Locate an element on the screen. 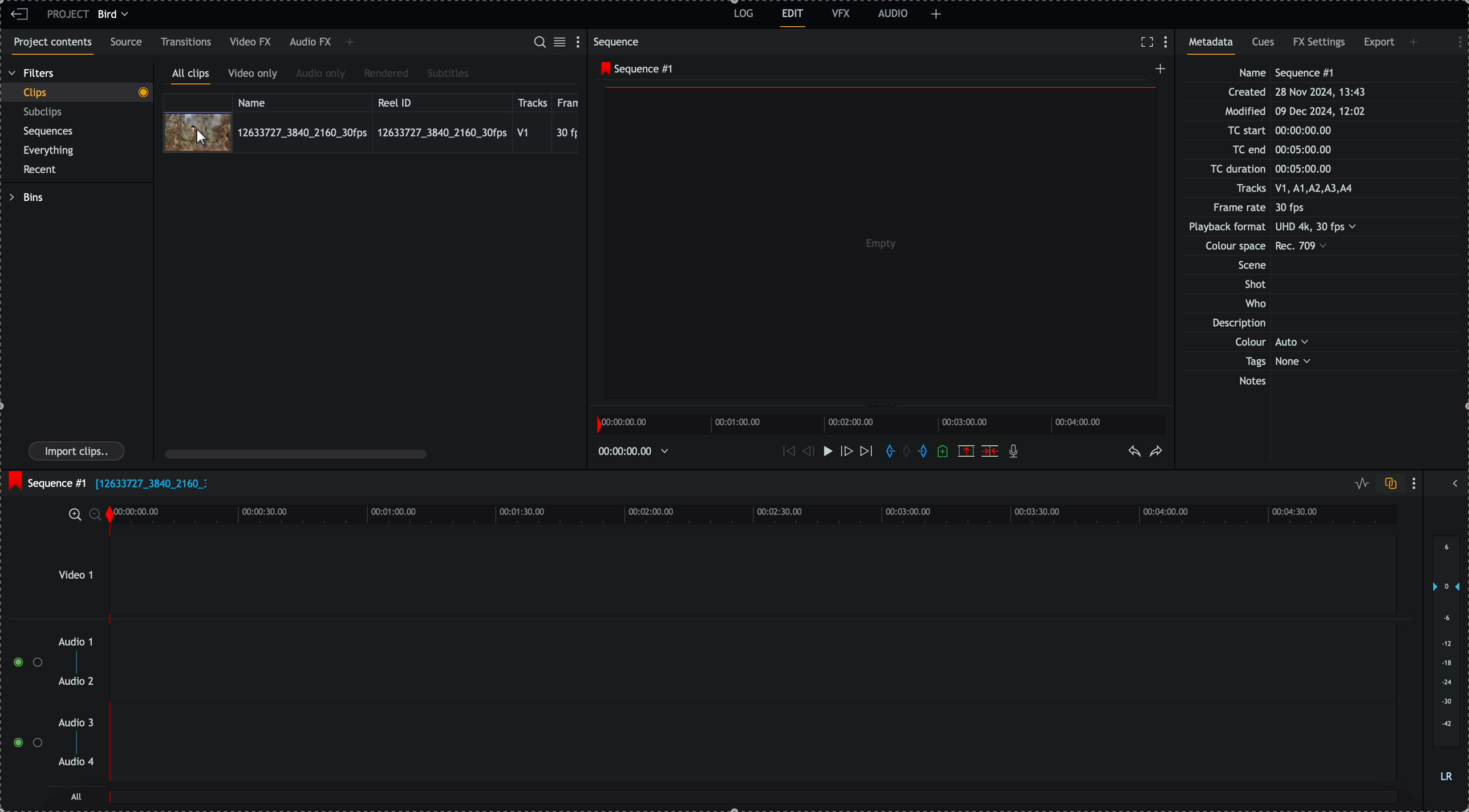 The height and width of the screenshot is (812, 1469). transitions is located at coordinates (186, 42).